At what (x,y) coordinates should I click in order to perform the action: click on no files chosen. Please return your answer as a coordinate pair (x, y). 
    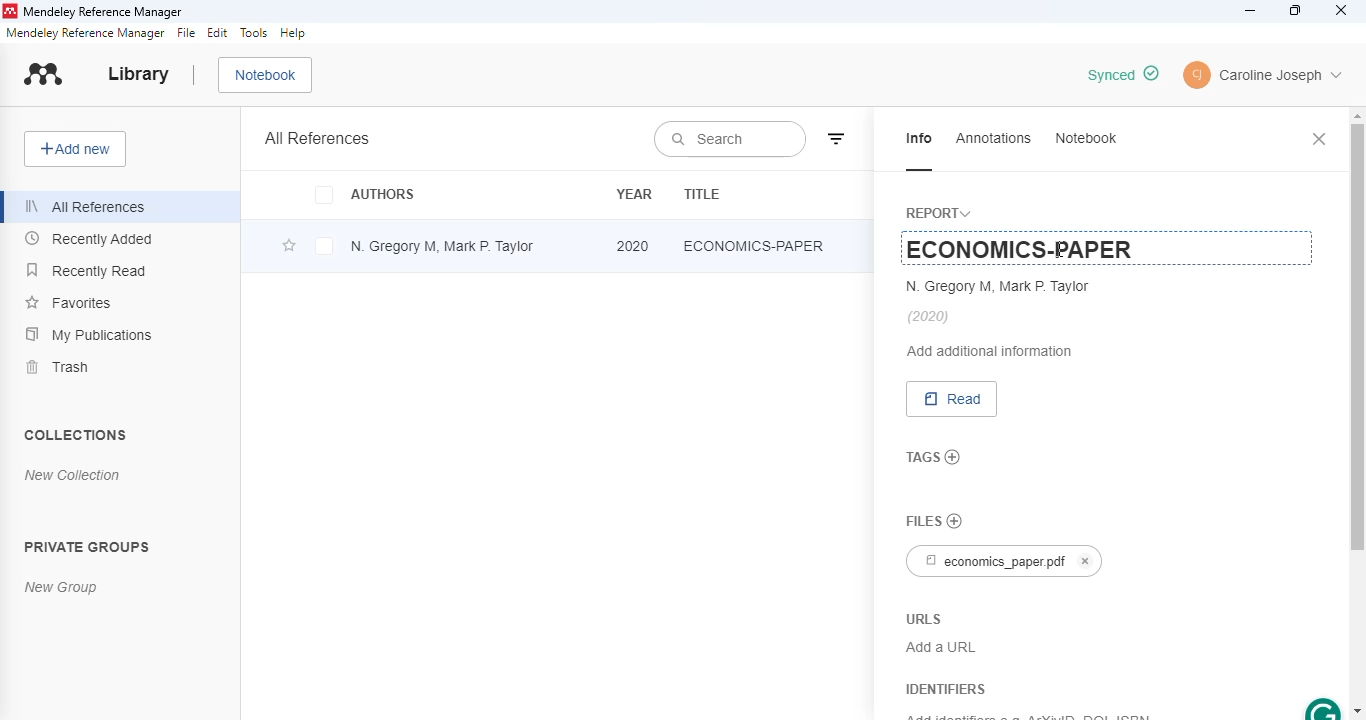
    Looking at the image, I should click on (955, 521).